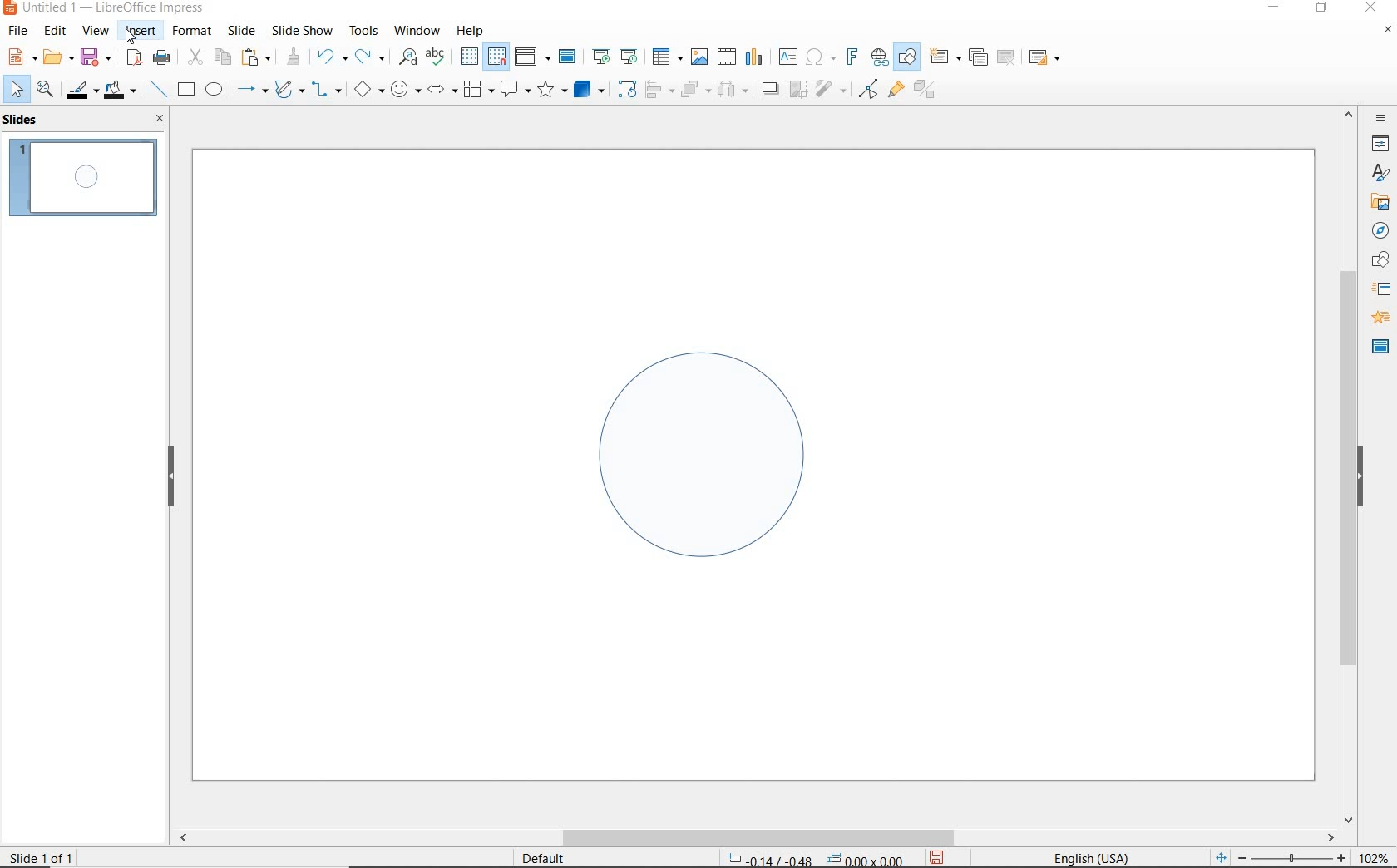  I want to click on rectangle, so click(185, 91).